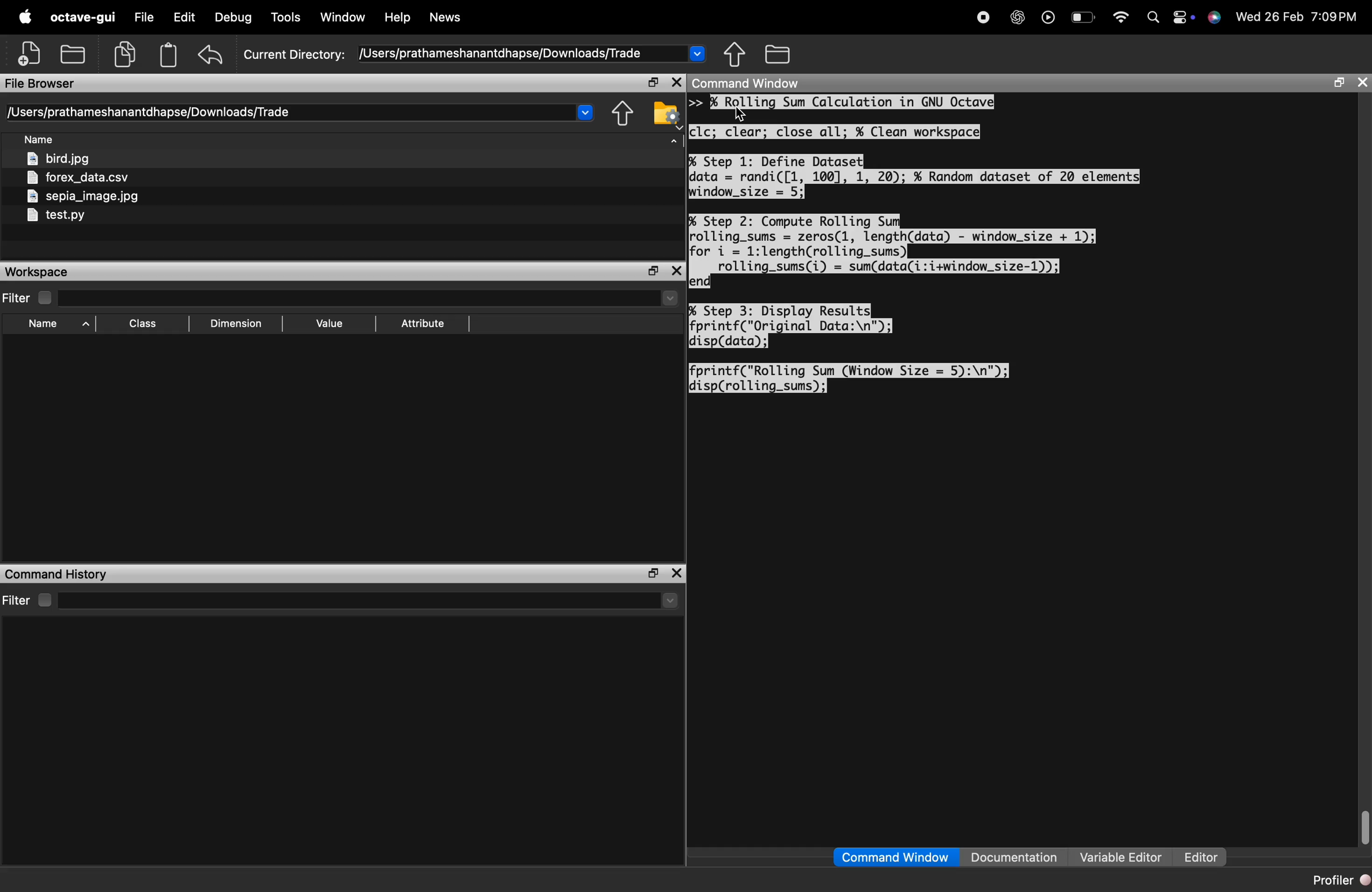  Describe the element at coordinates (1049, 19) in the screenshot. I see `play` at that location.